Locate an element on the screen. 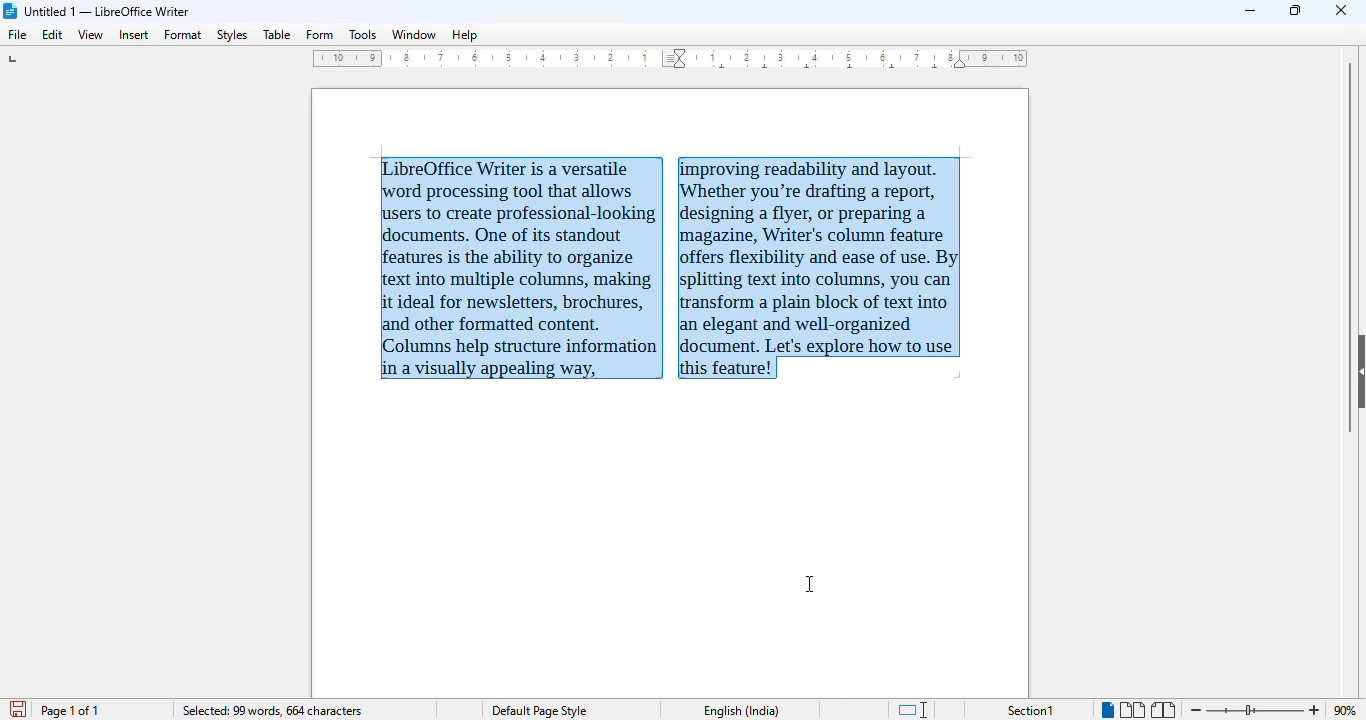  help is located at coordinates (465, 35).